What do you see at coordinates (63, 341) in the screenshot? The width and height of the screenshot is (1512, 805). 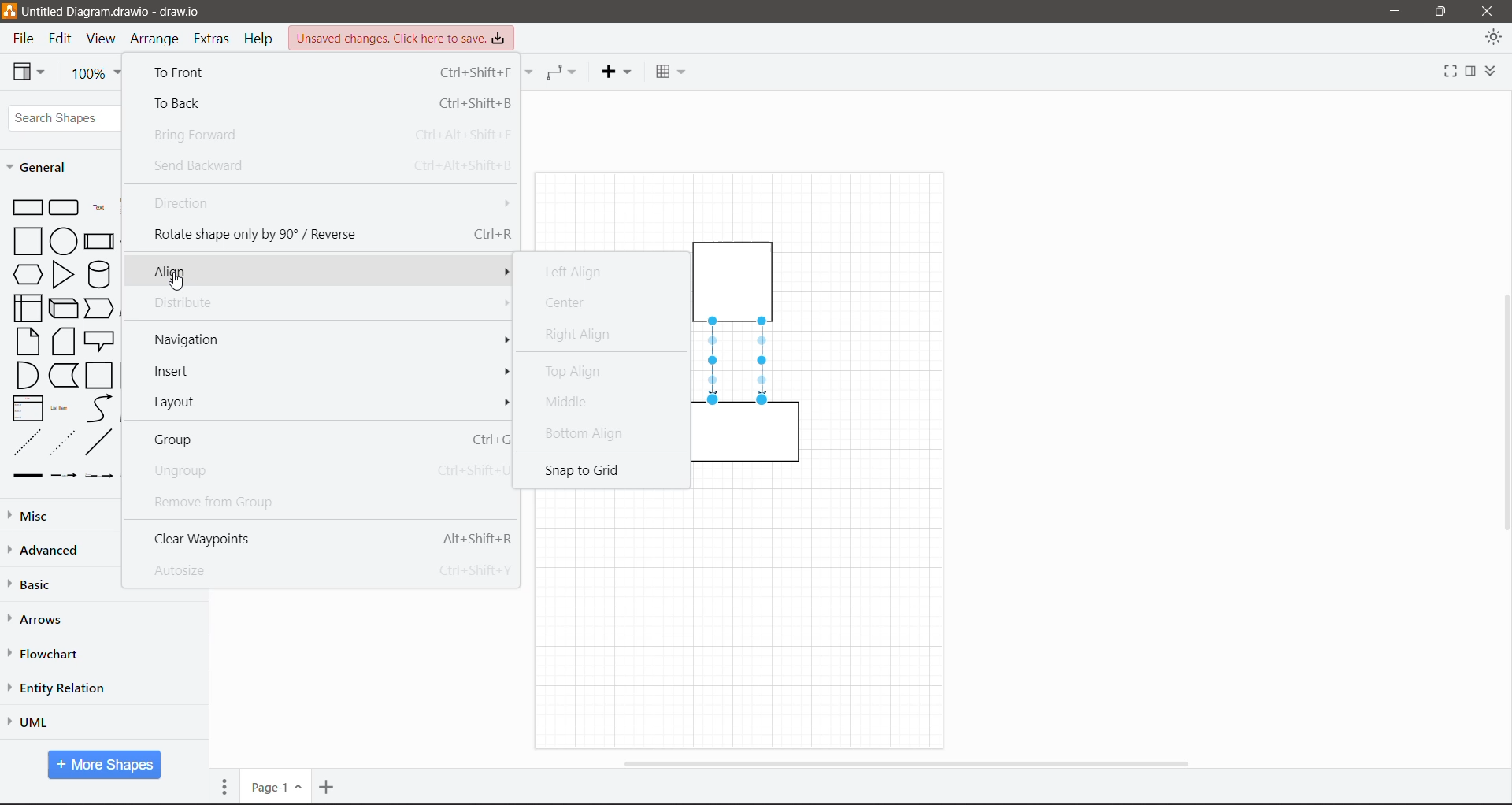 I see `Card` at bounding box center [63, 341].